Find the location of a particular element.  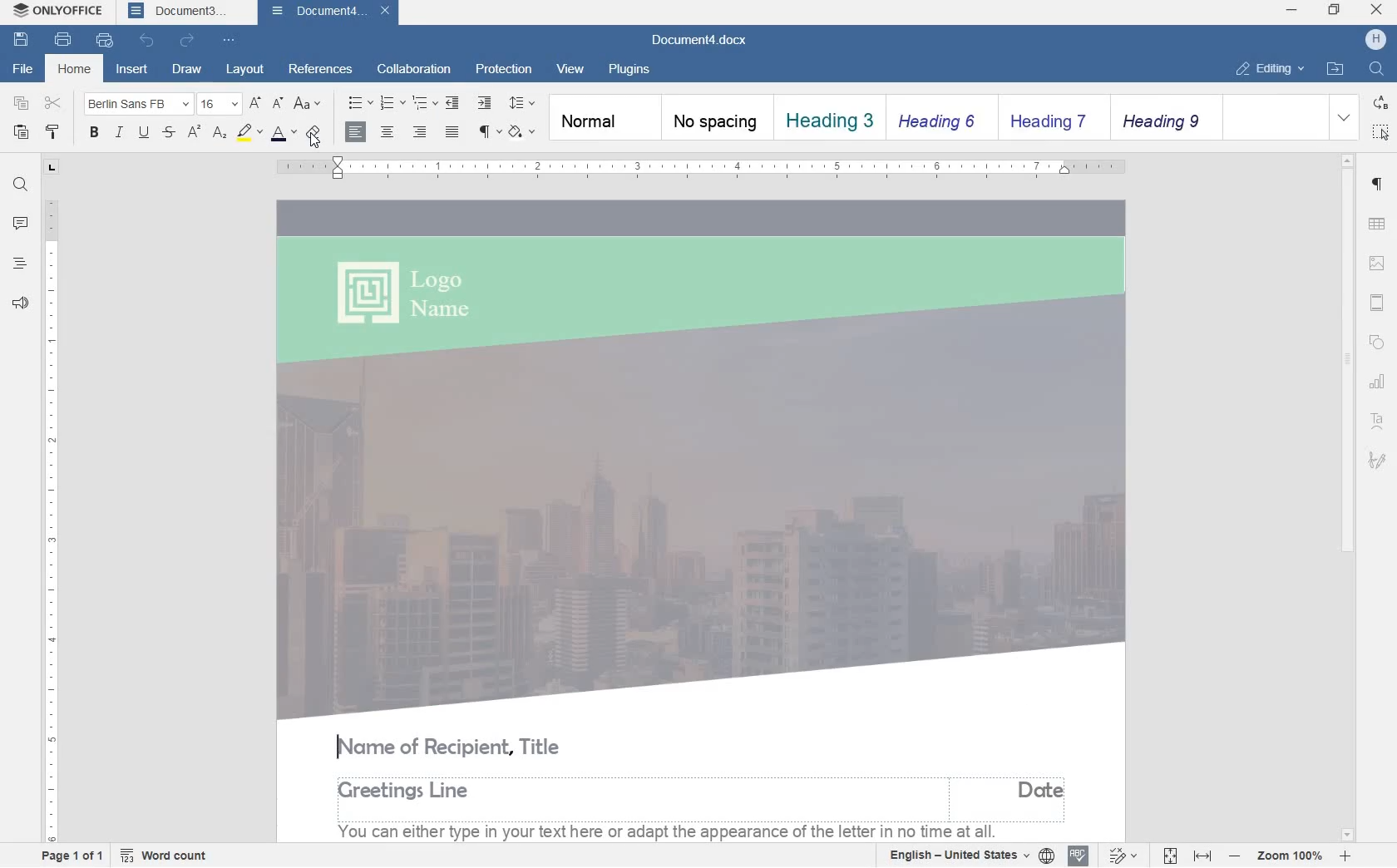

save is located at coordinates (21, 42).